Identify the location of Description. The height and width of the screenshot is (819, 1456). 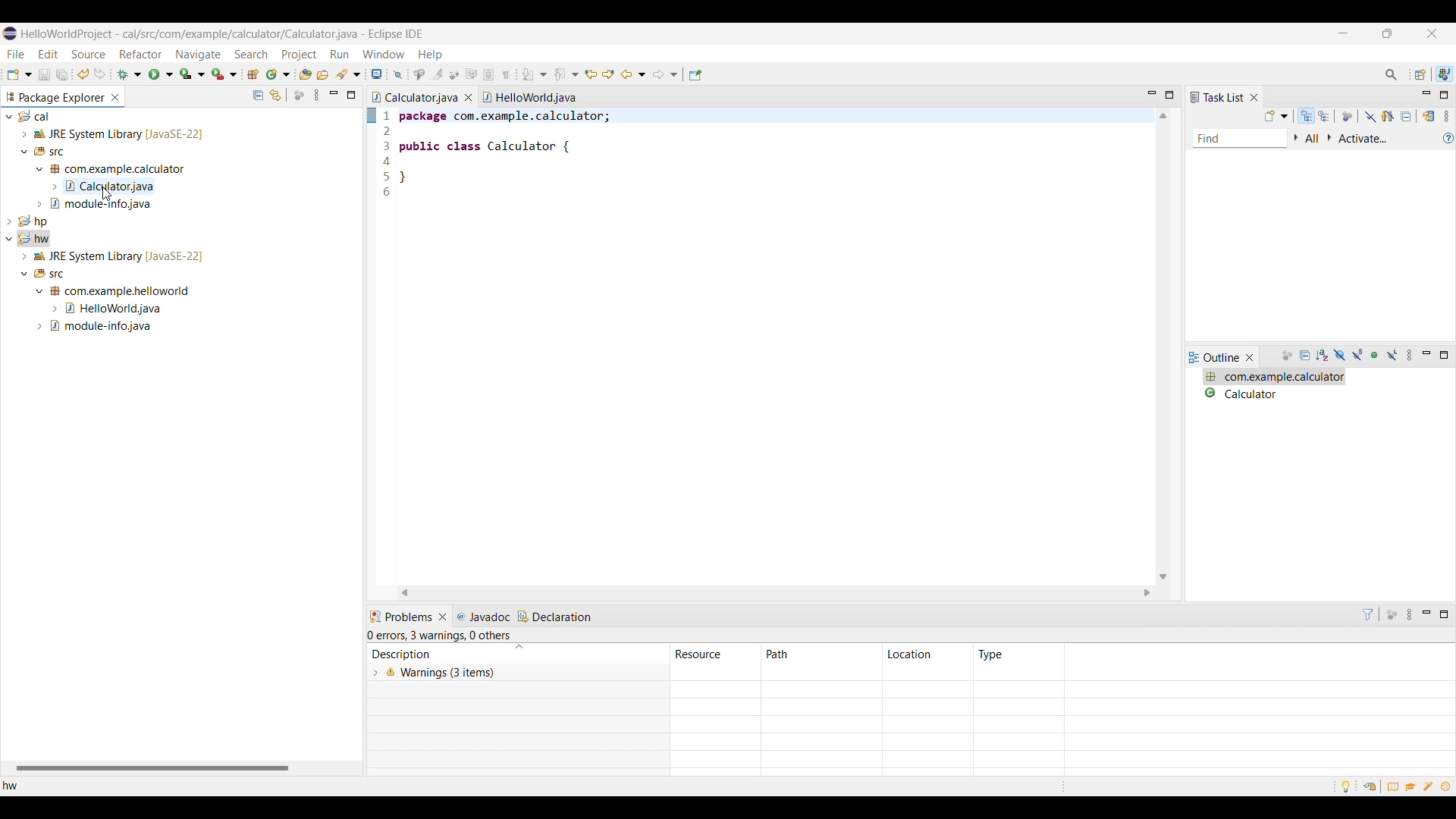
(439, 654).